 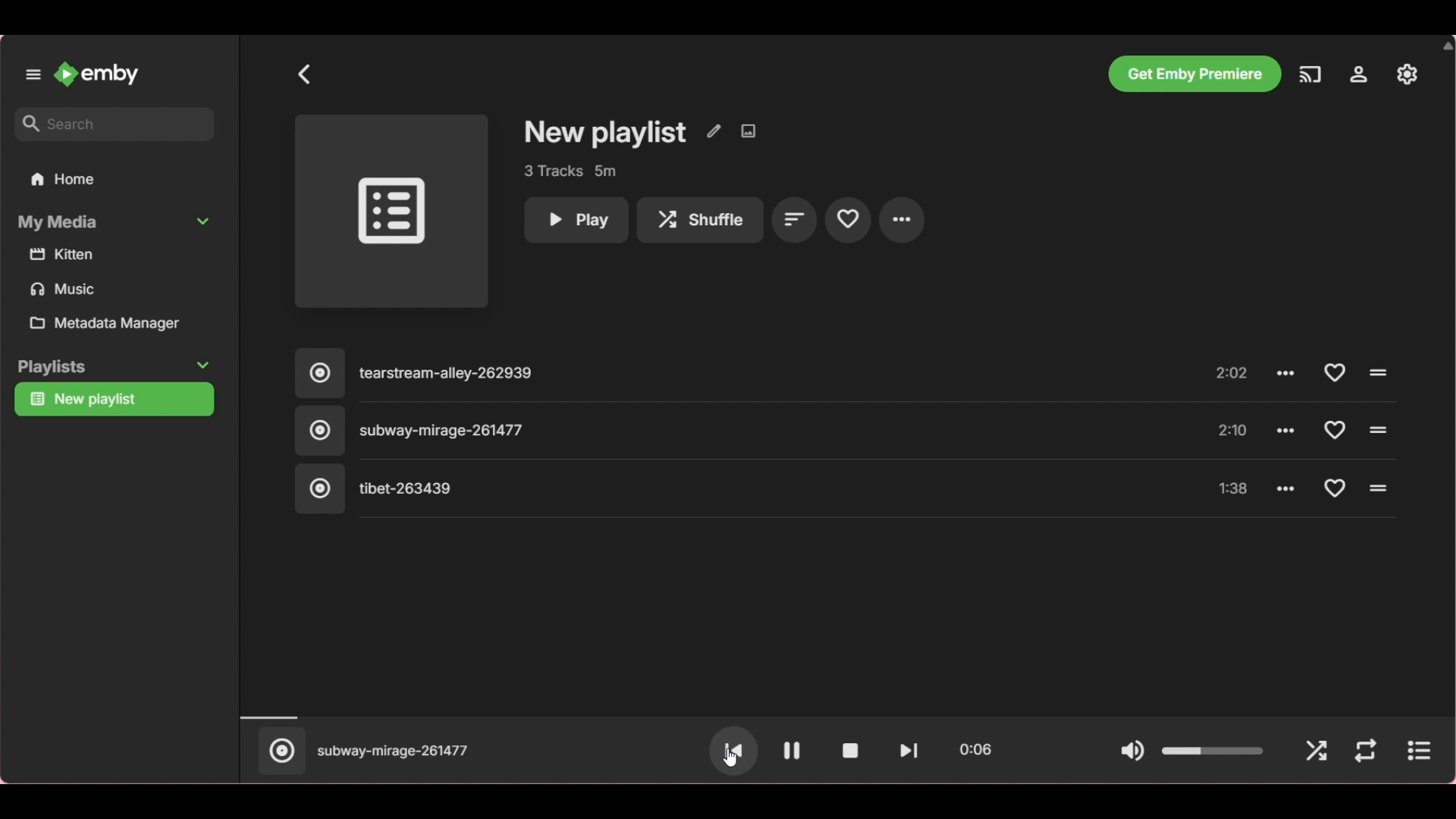 I want to click on Add respective song to favorites, so click(x=1334, y=372).